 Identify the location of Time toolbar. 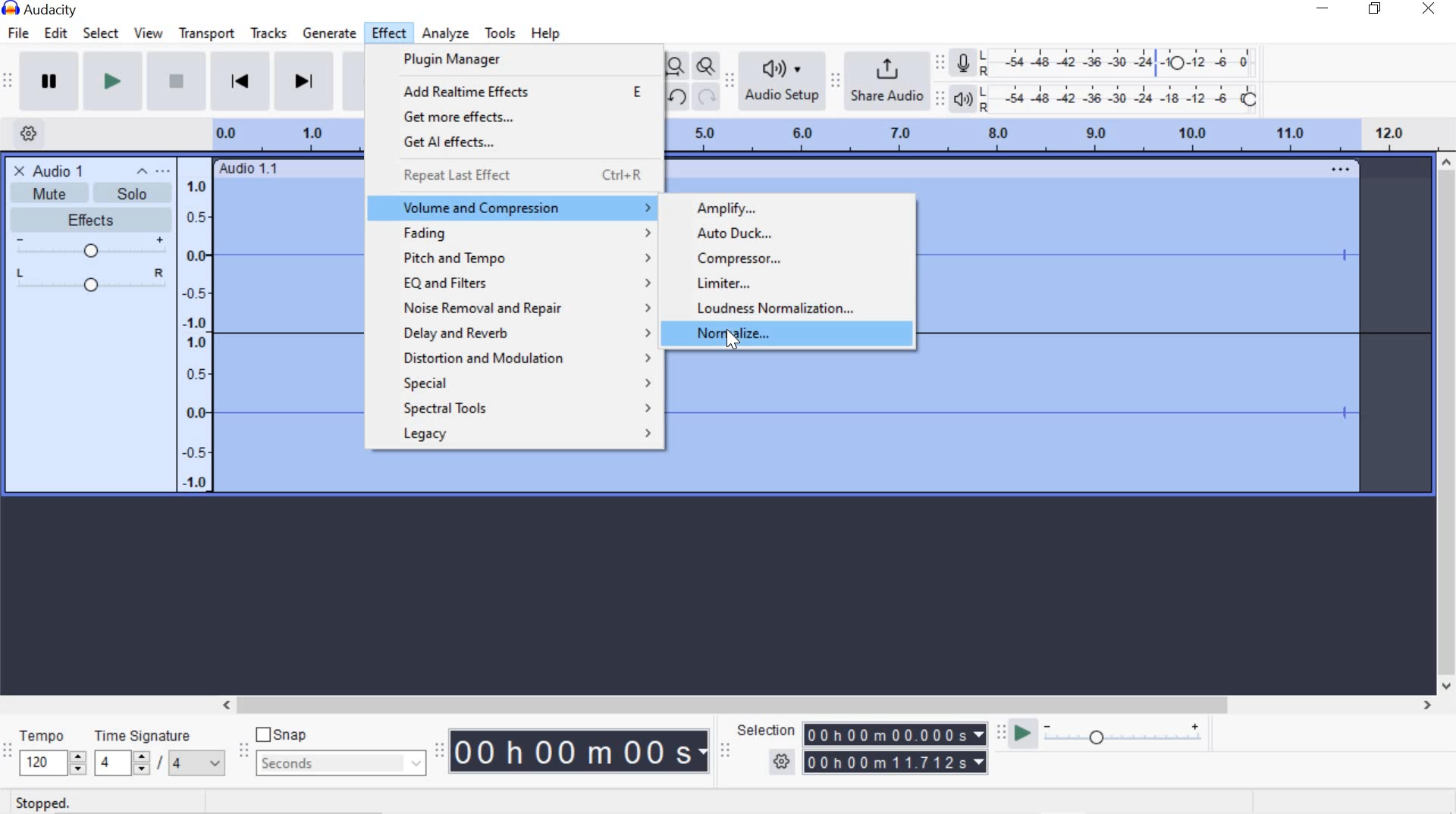
(441, 750).